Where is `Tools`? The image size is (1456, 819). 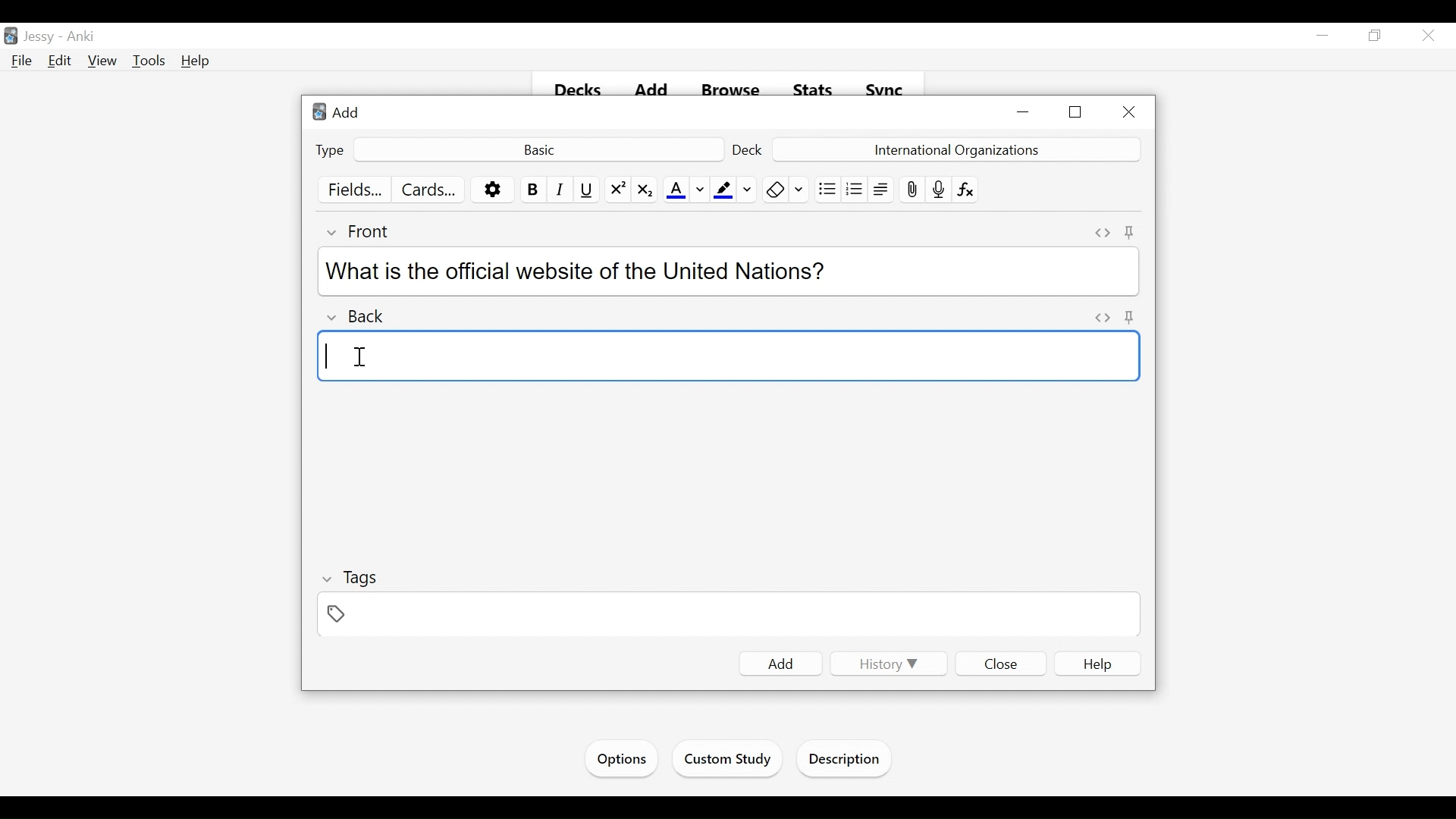
Tools is located at coordinates (149, 61).